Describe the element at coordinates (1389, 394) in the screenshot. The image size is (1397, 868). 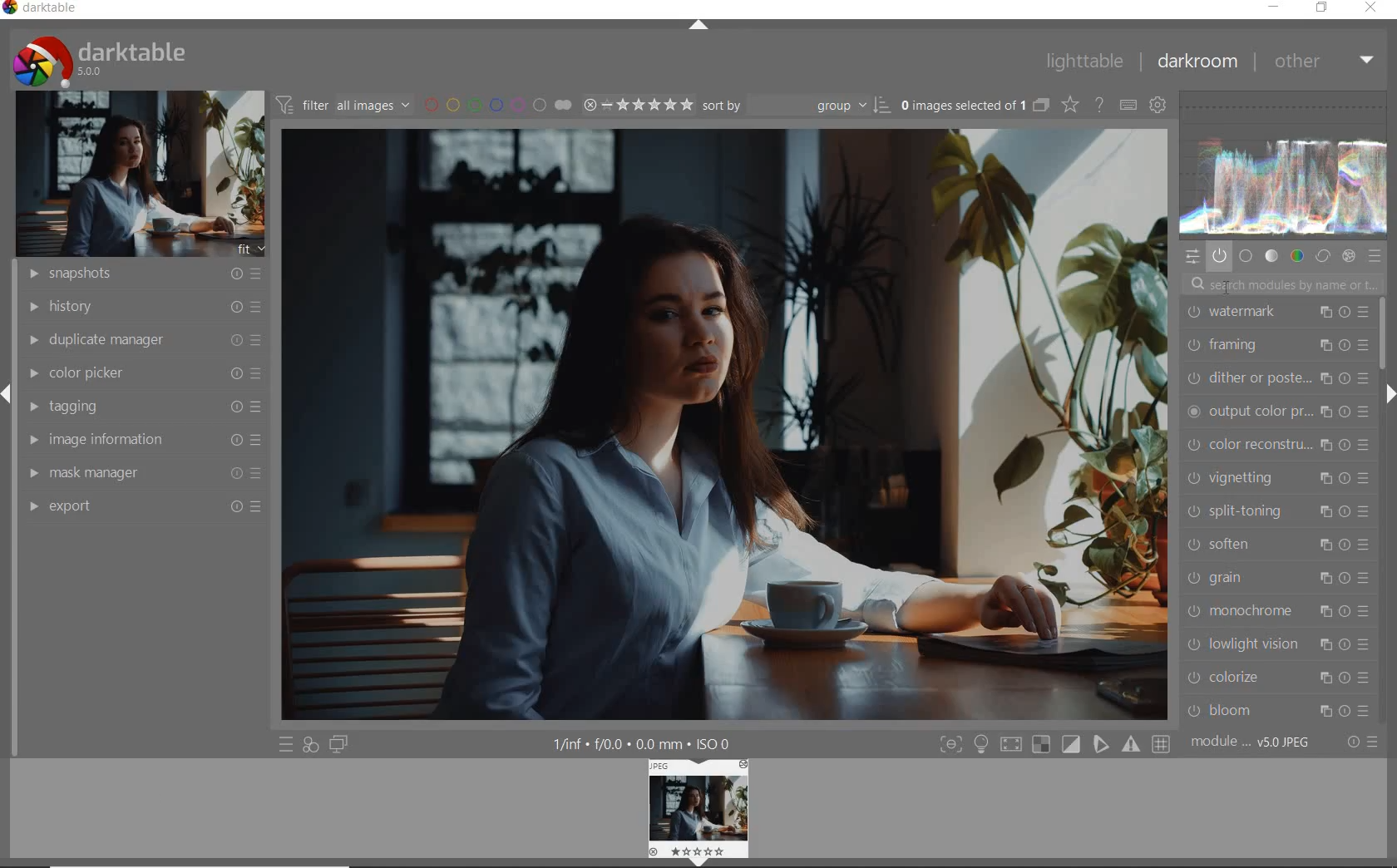
I see `expand/collapse` at that location.